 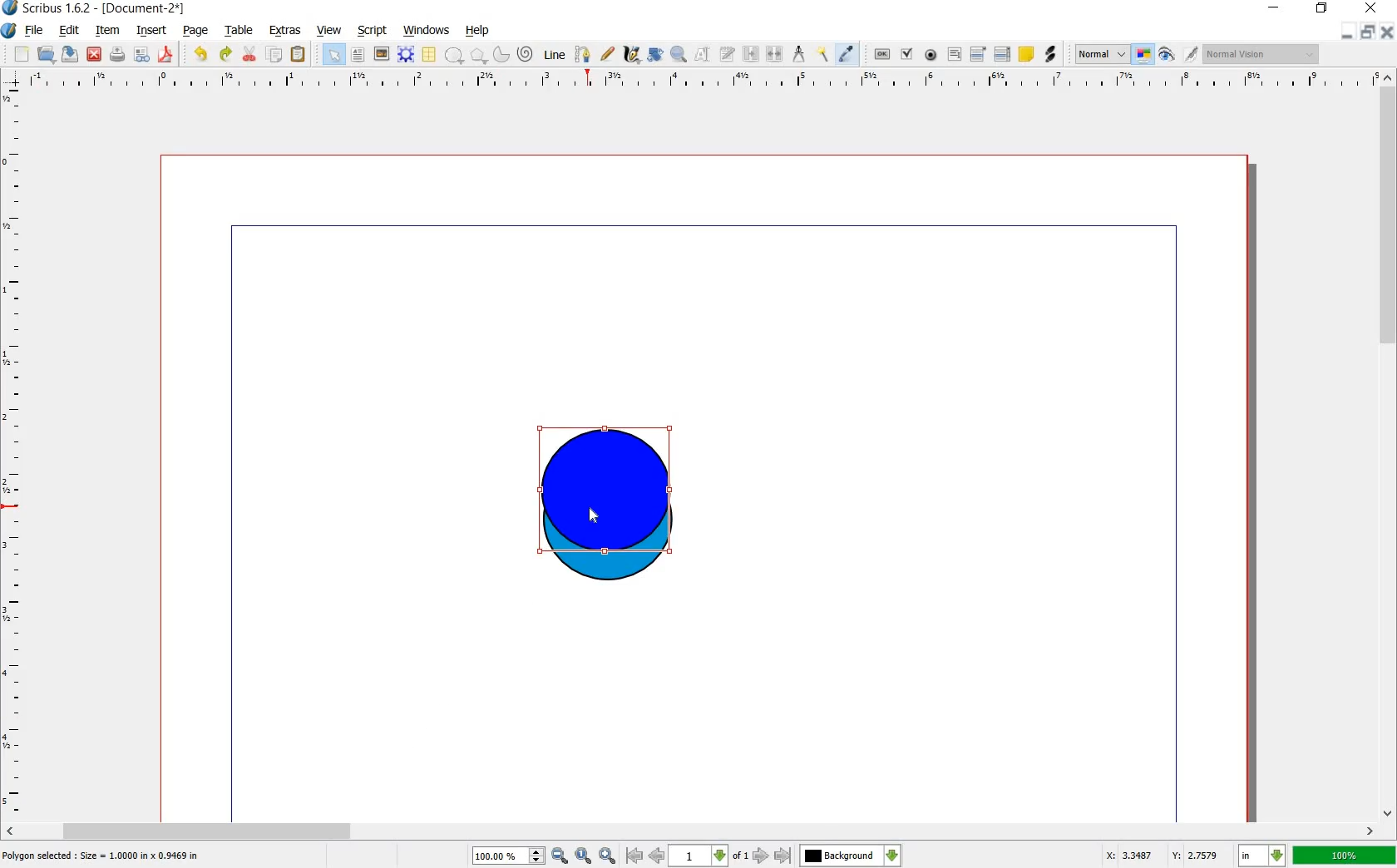 I want to click on cut, so click(x=251, y=55).